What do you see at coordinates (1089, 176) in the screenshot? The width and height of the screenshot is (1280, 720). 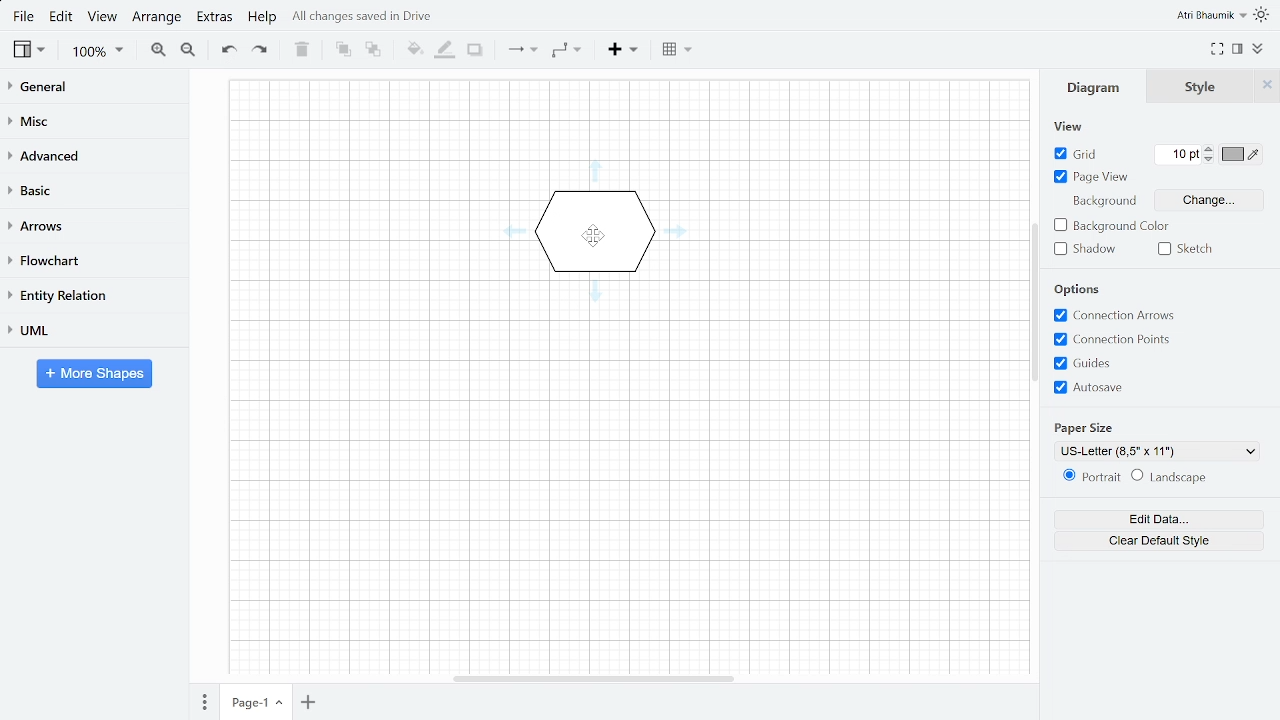 I see `page view` at bounding box center [1089, 176].